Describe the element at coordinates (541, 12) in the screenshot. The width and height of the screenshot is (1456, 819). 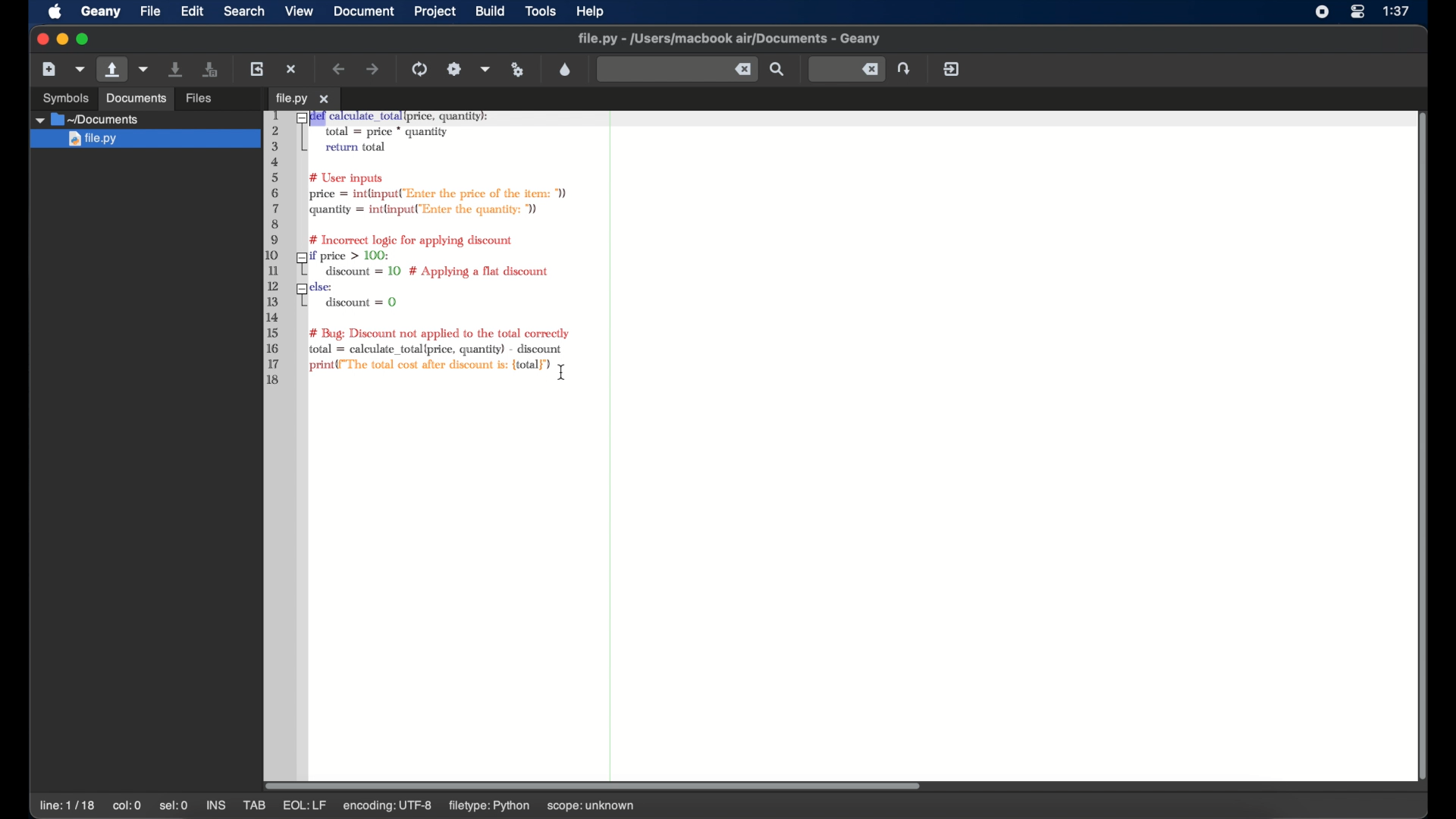
I see `tools` at that location.